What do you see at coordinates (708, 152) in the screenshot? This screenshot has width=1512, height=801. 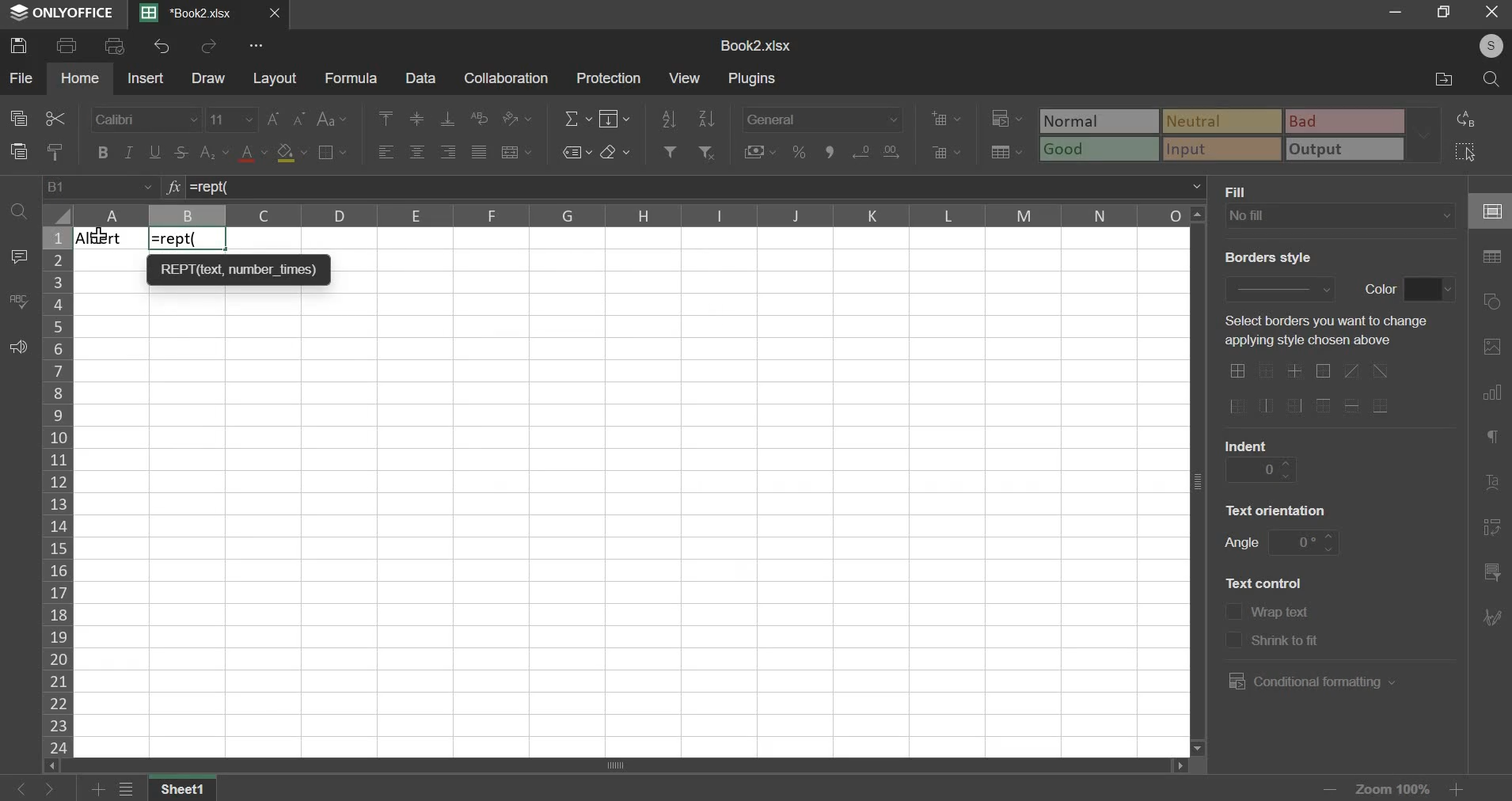 I see `remove filter` at bounding box center [708, 152].